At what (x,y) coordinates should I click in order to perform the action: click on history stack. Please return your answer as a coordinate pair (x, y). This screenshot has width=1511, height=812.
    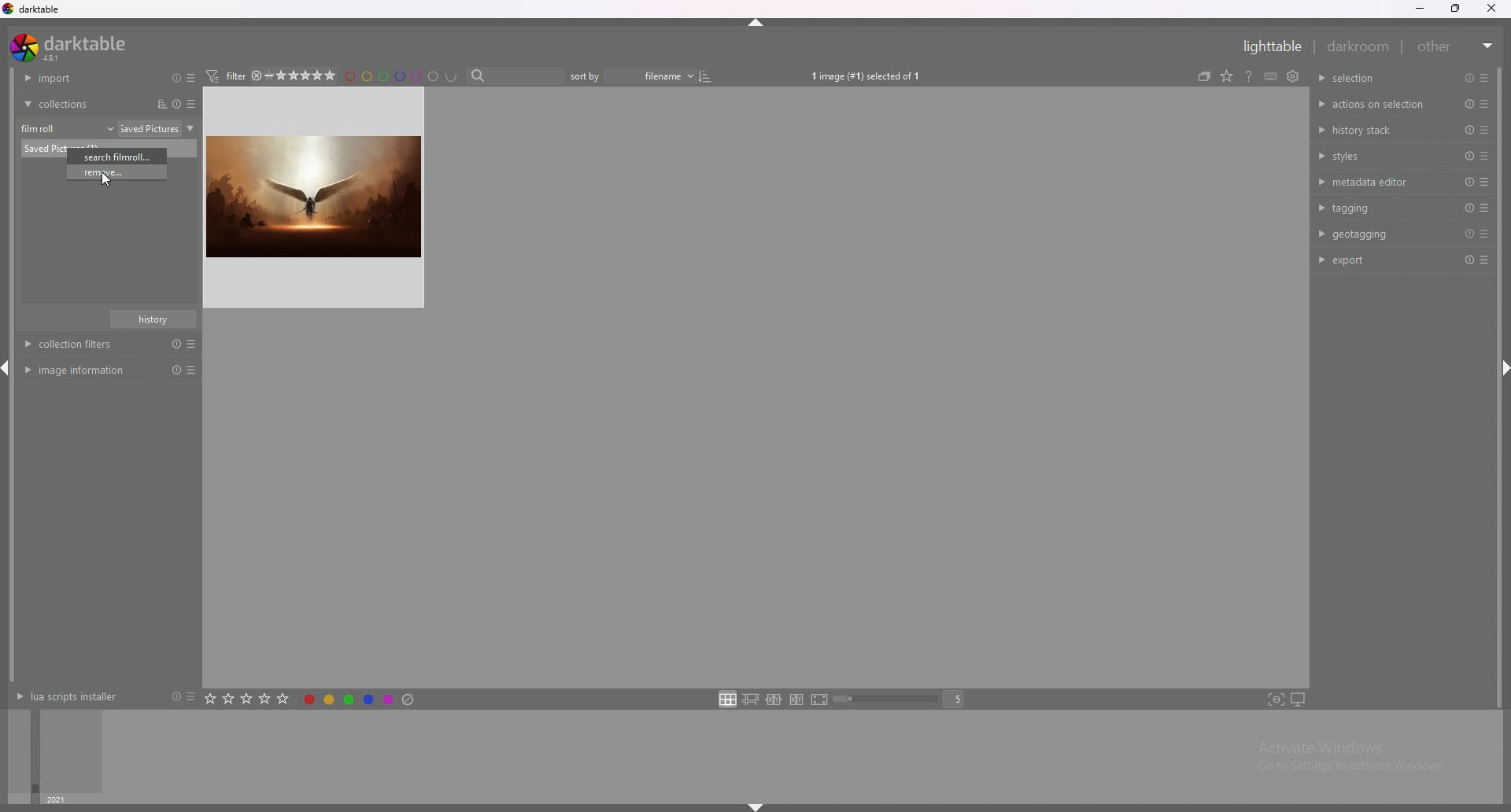
    Looking at the image, I should click on (1377, 129).